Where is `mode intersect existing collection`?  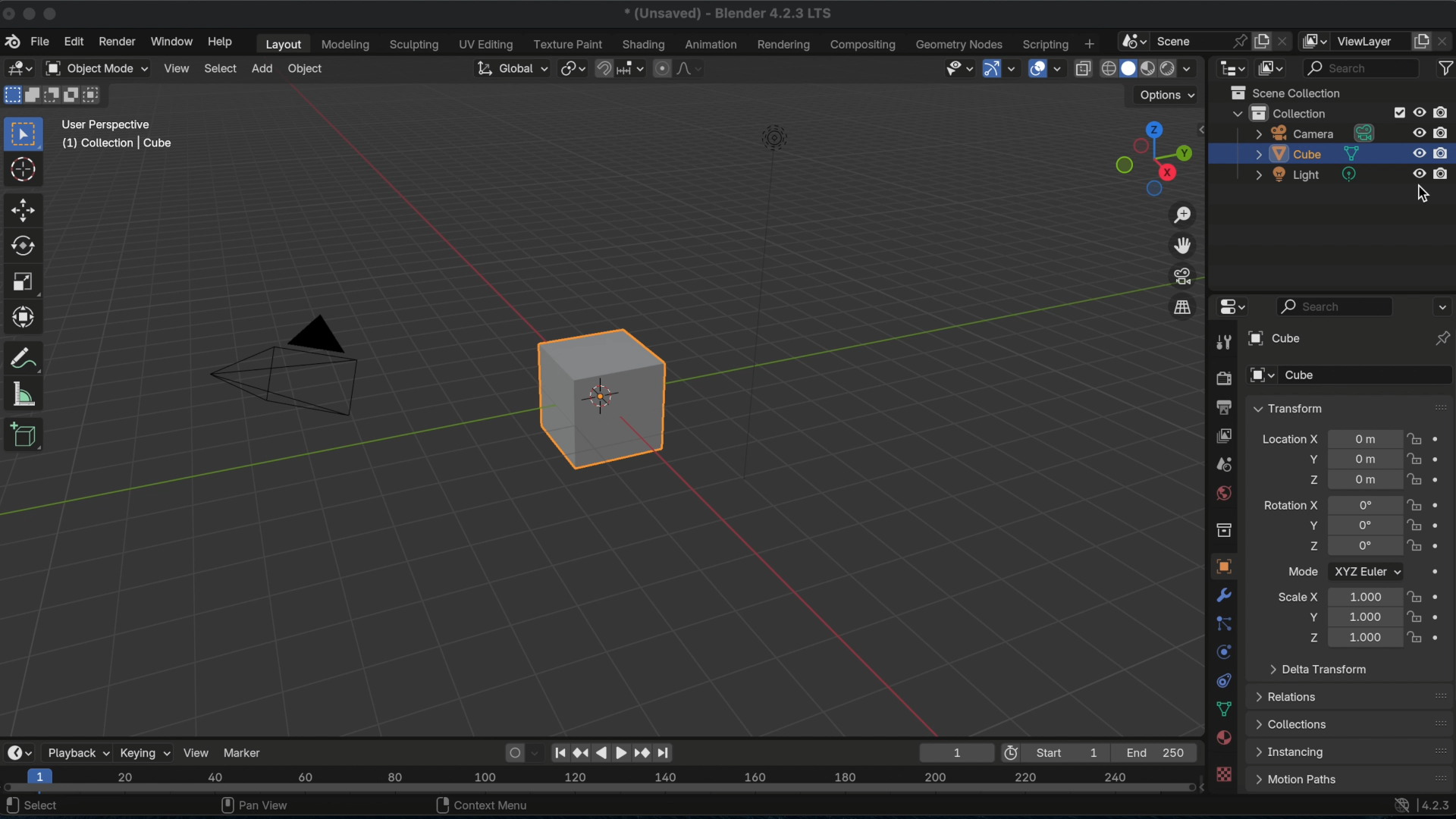 mode intersect existing collection is located at coordinates (93, 96).